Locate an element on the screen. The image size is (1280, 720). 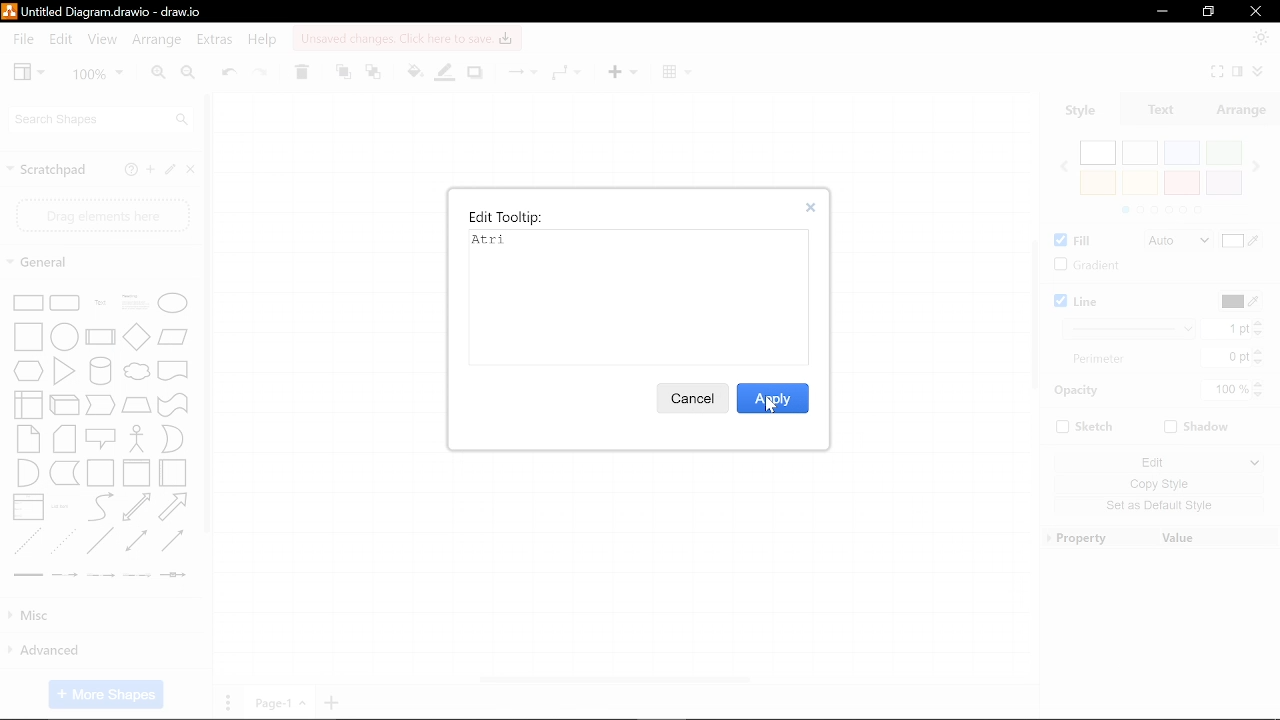
Cancel is located at coordinates (693, 398).